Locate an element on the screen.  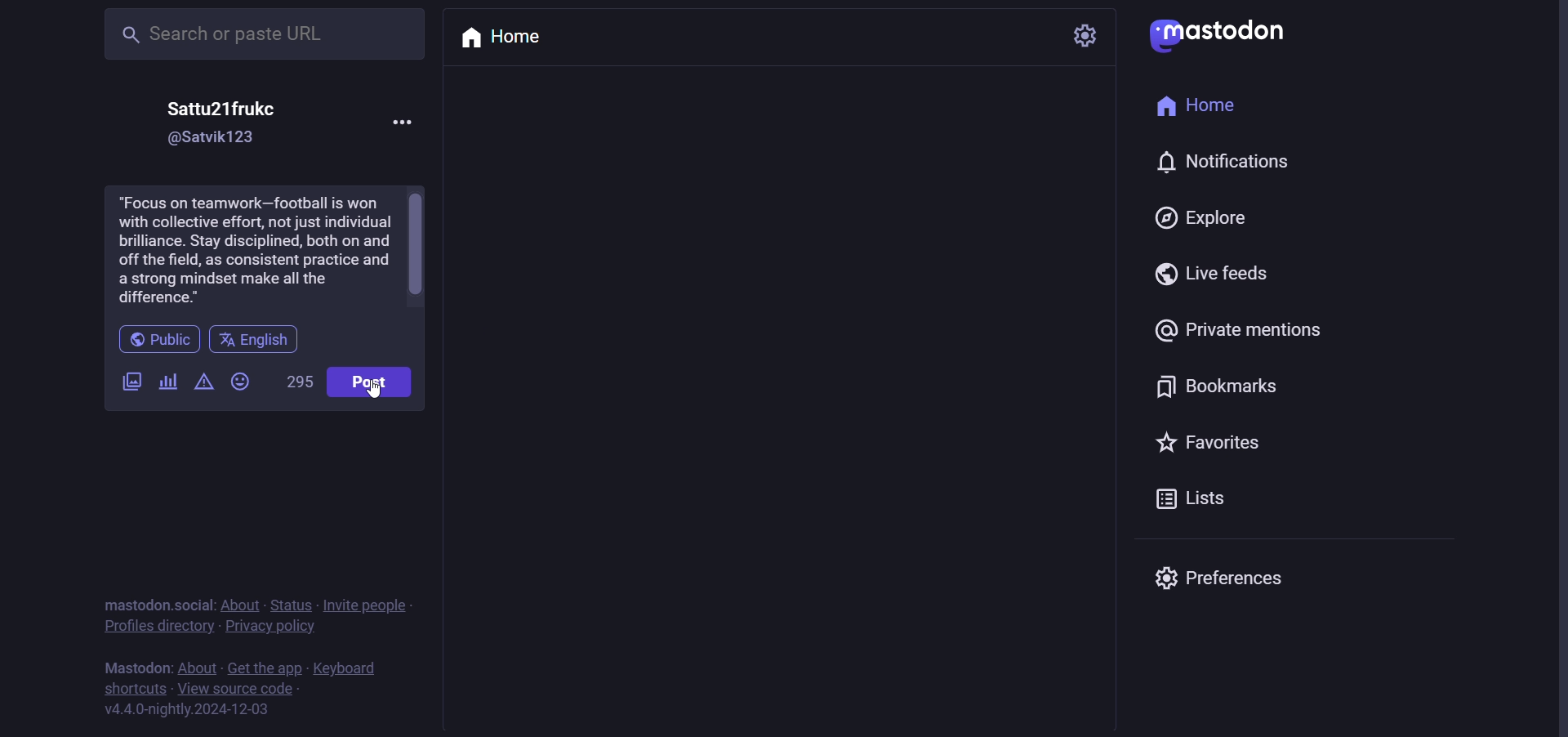
content warning is located at coordinates (204, 378).